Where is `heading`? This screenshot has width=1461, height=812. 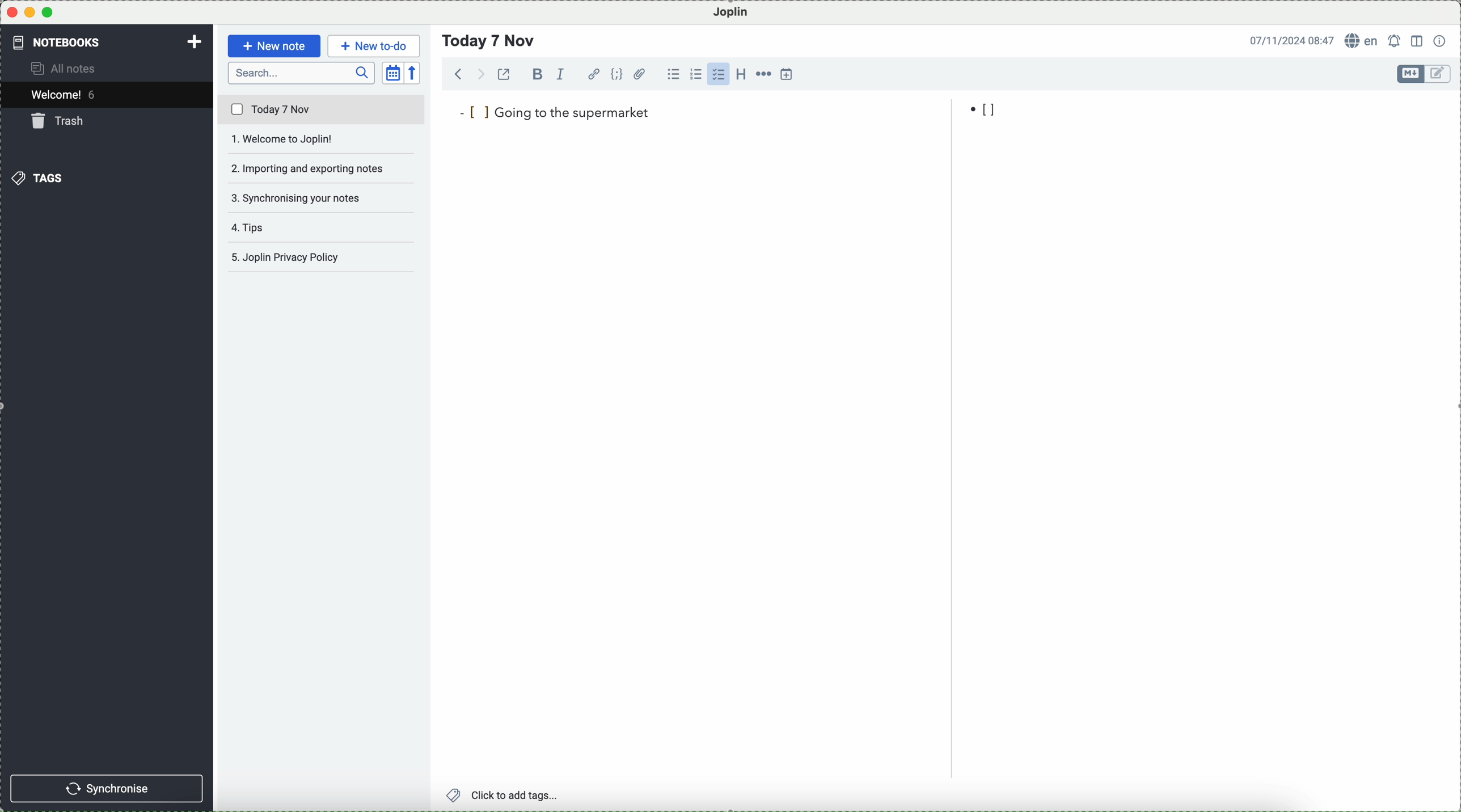 heading is located at coordinates (741, 73).